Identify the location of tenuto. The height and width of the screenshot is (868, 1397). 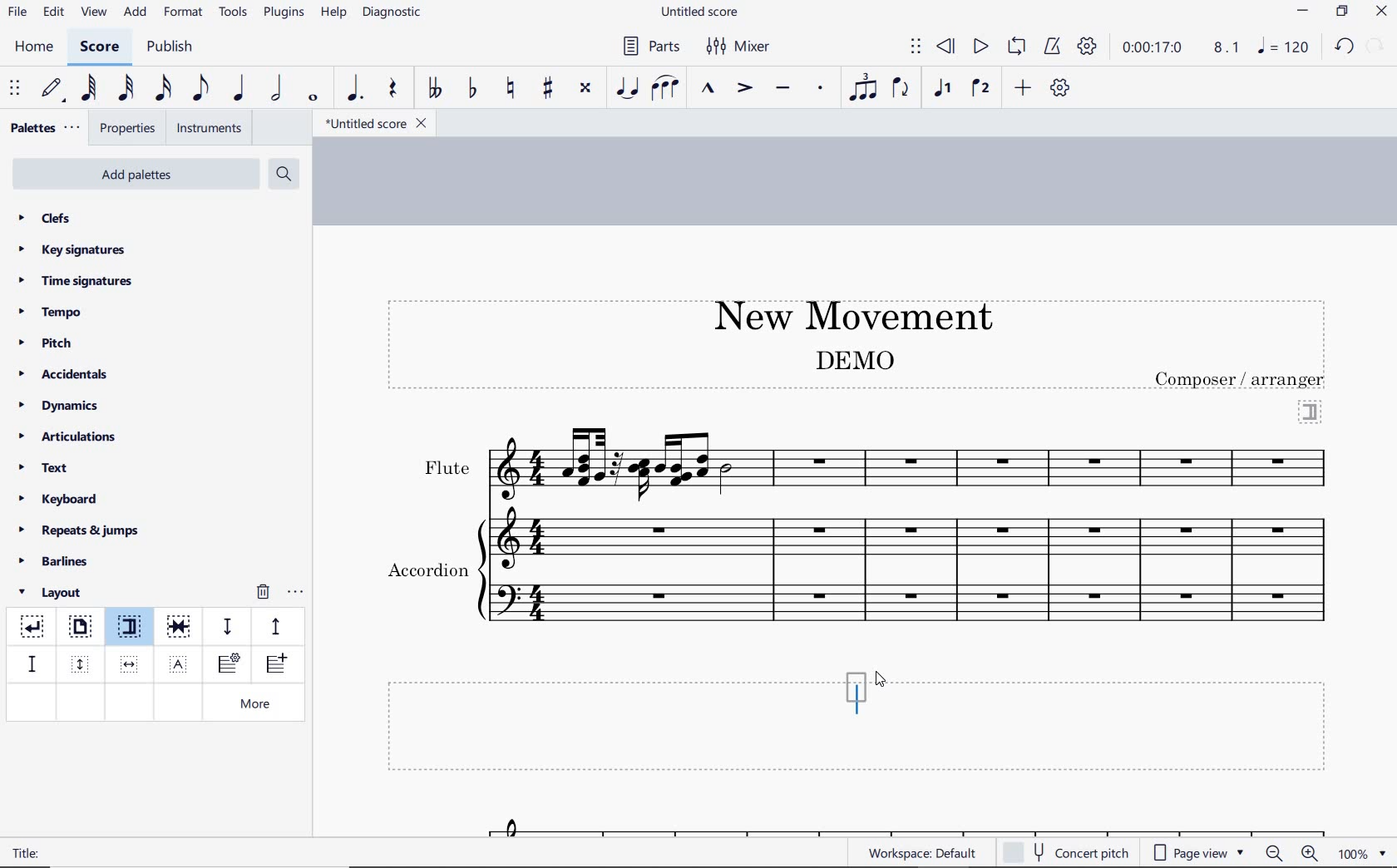
(782, 89).